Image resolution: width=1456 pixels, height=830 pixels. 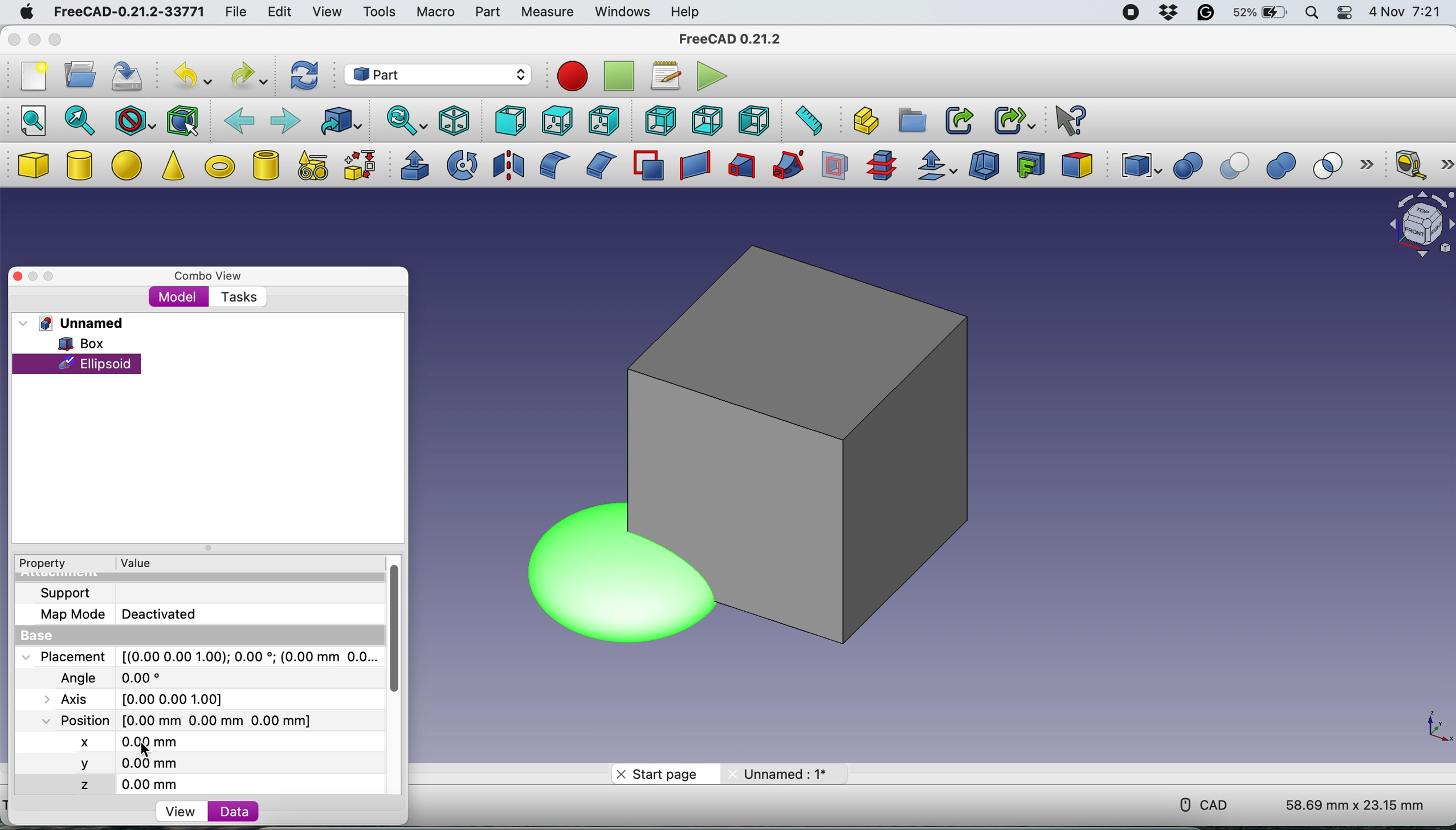 What do you see at coordinates (1357, 806) in the screenshot?
I see `58.69 mm x 23.15 mm` at bounding box center [1357, 806].